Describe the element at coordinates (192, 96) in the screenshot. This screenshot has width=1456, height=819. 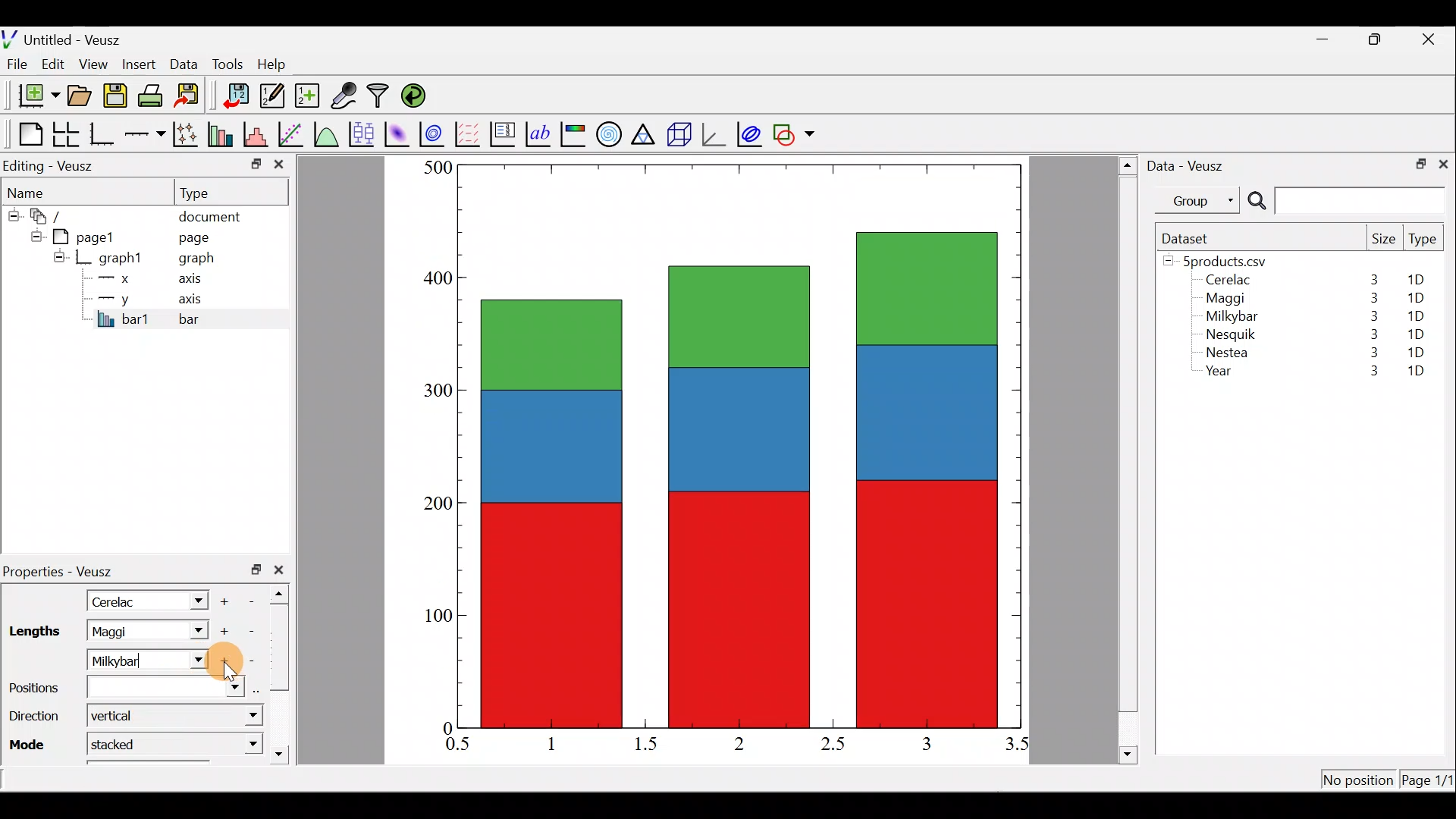
I see `Export to graphics format` at that location.